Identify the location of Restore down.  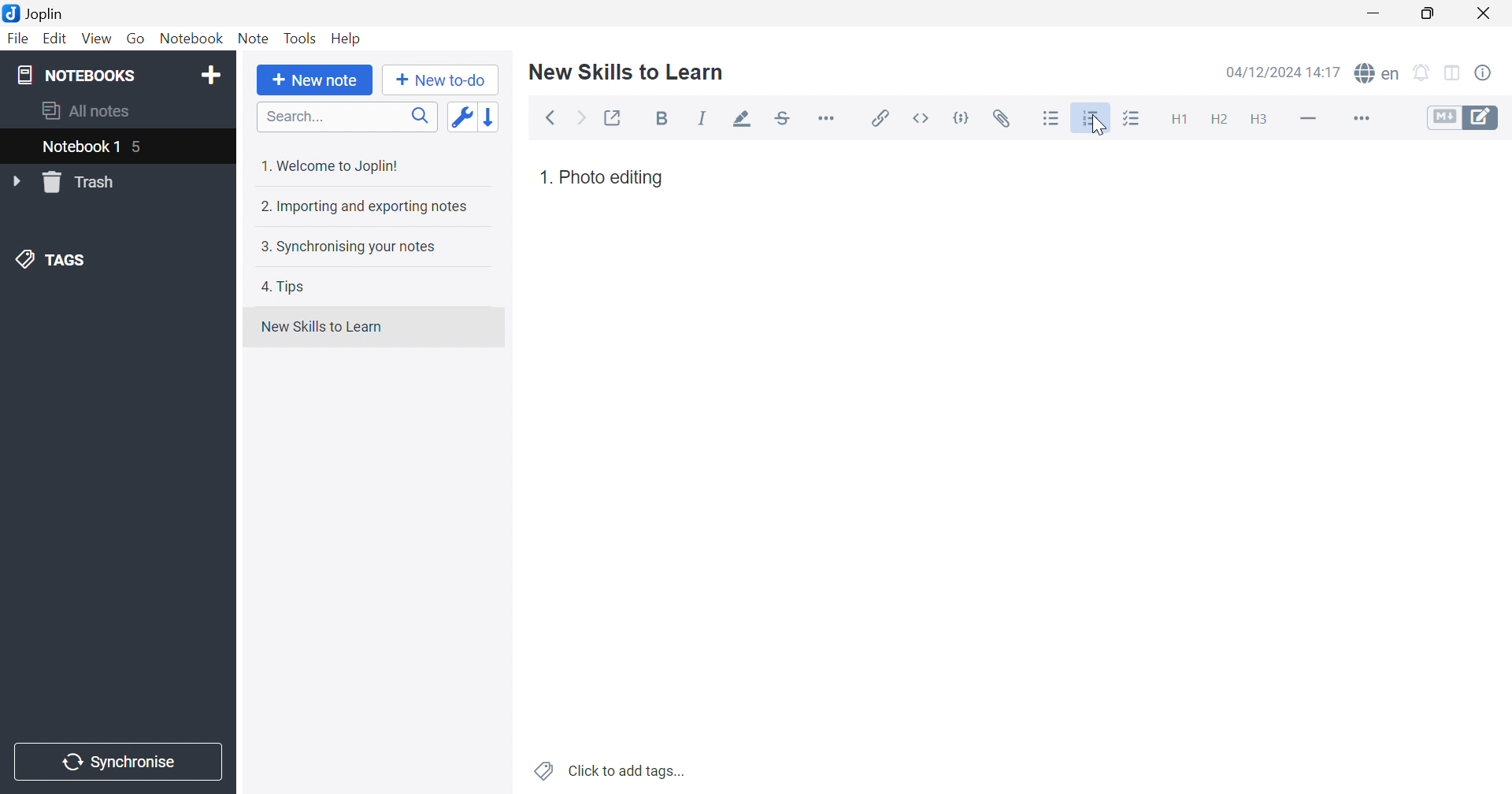
(1427, 13).